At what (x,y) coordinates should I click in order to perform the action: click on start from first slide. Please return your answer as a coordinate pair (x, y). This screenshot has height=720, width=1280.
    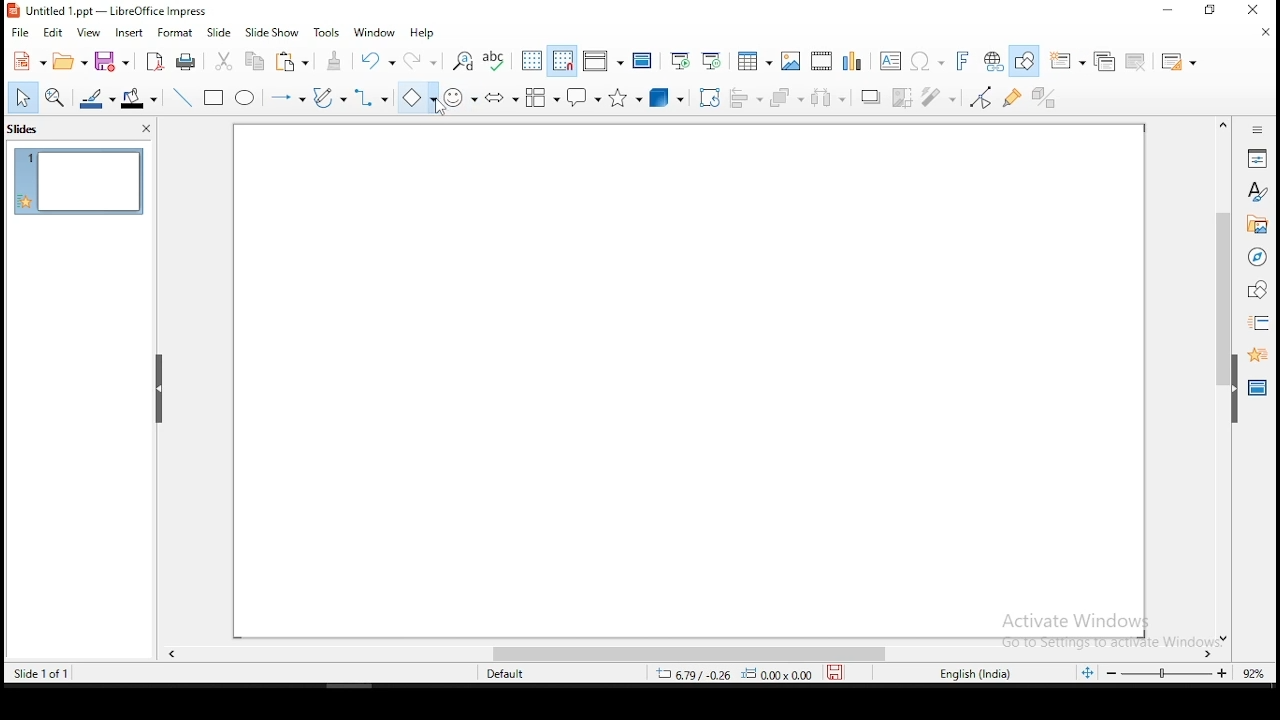
    Looking at the image, I should click on (680, 60).